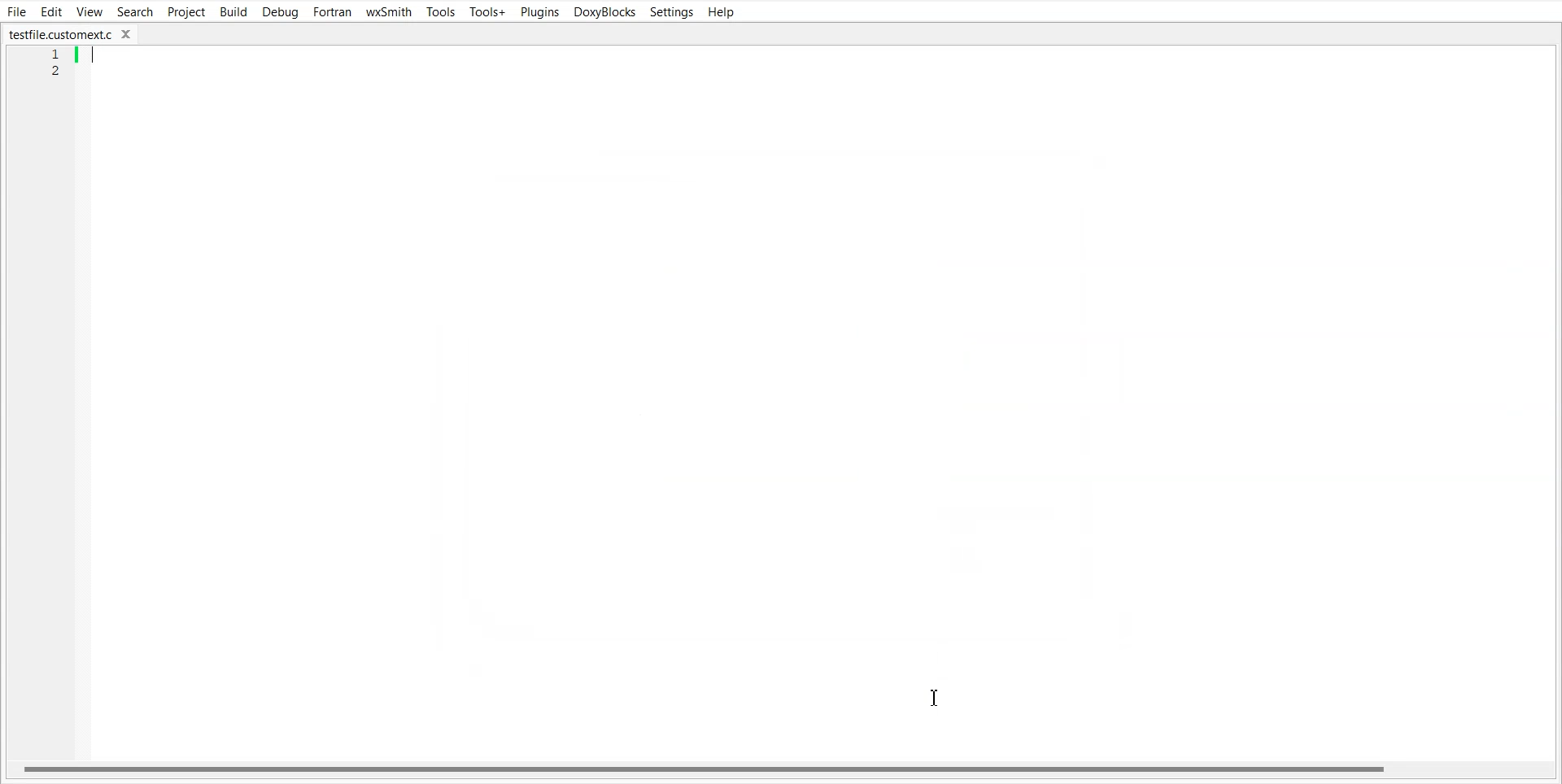  What do you see at coordinates (134, 12) in the screenshot?
I see `Search` at bounding box center [134, 12].